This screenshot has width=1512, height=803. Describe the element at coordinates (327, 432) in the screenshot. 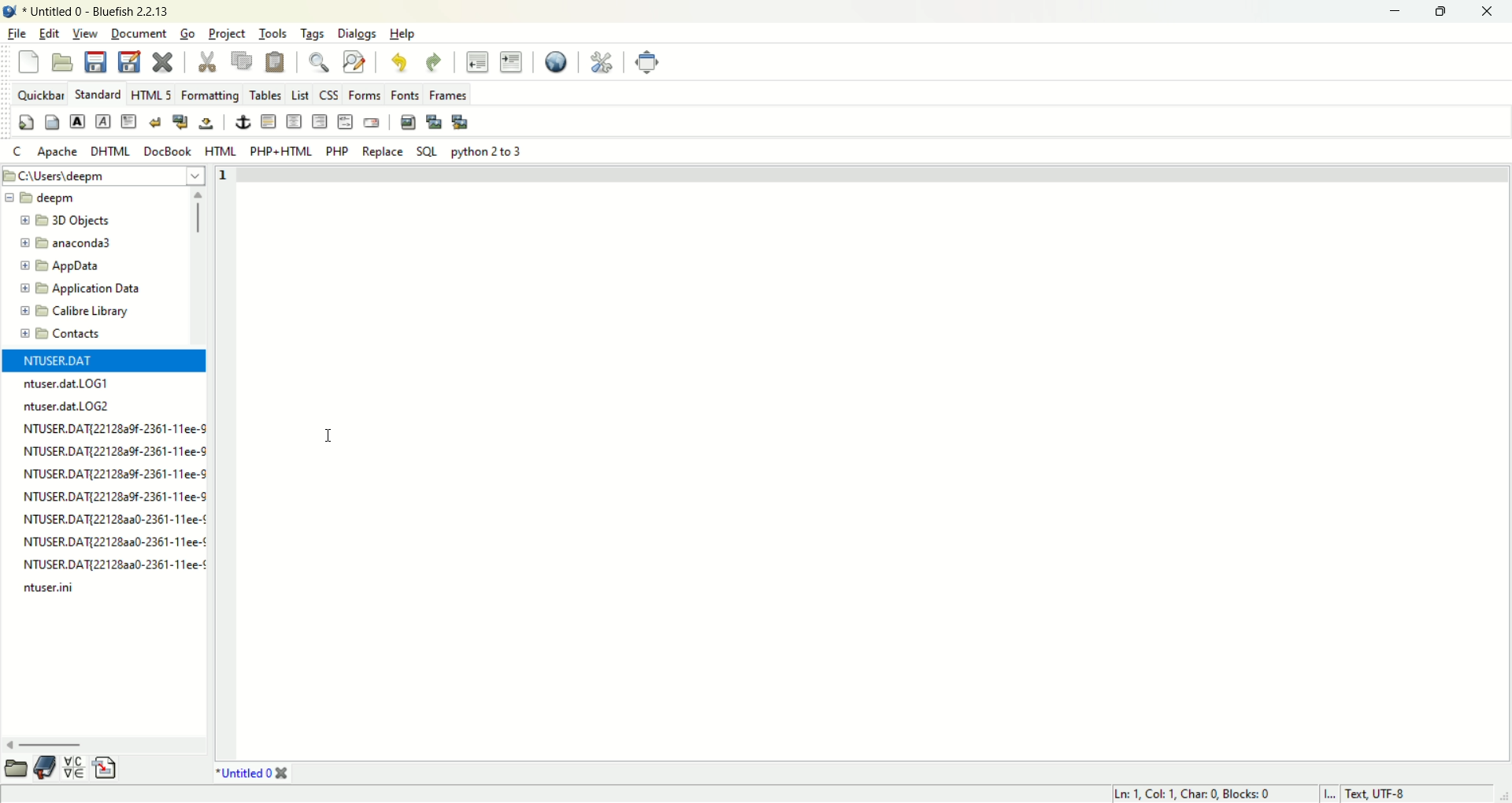

I see `mouse cursor` at that location.